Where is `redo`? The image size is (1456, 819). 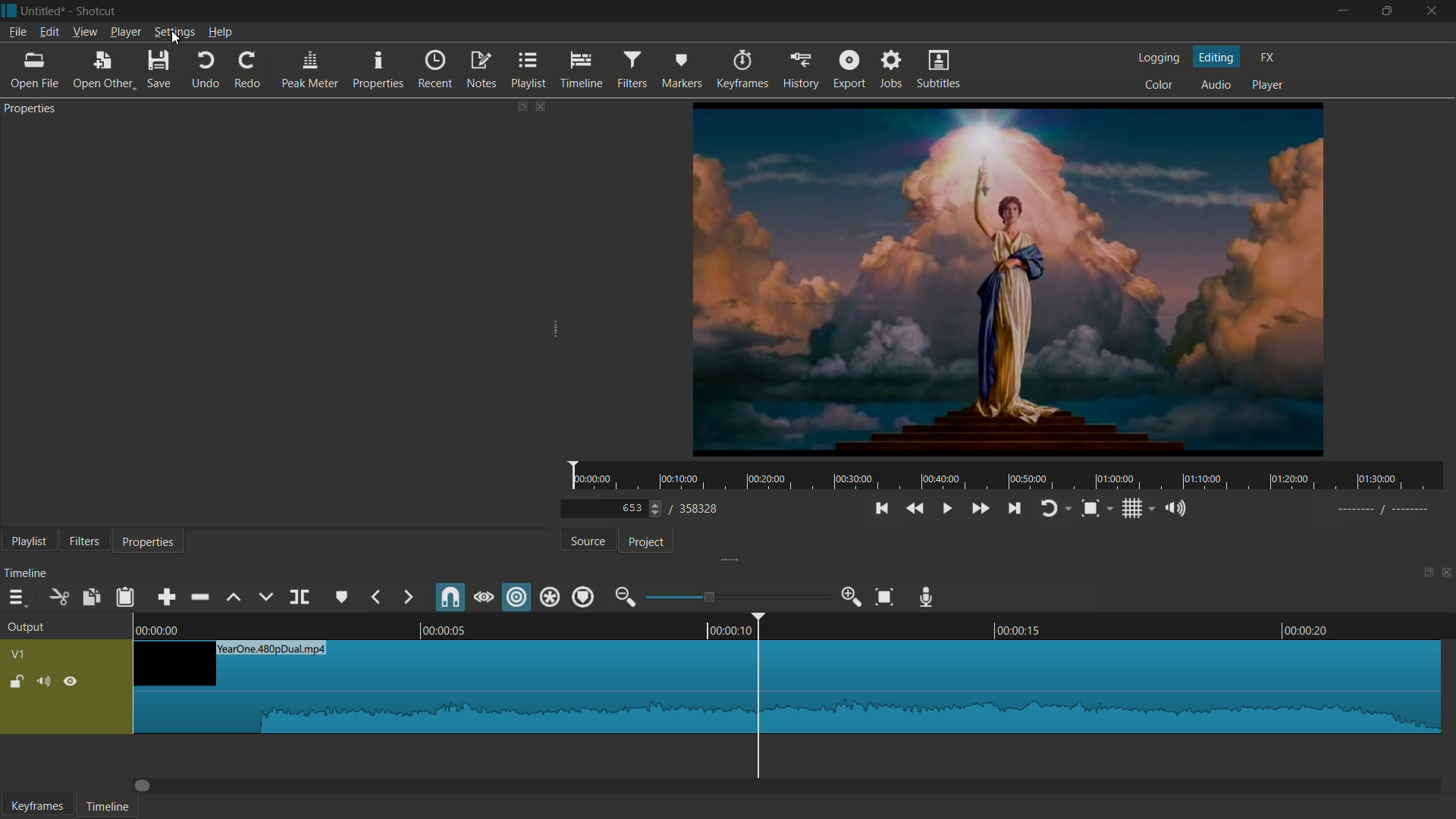 redo is located at coordinates (246, 68).